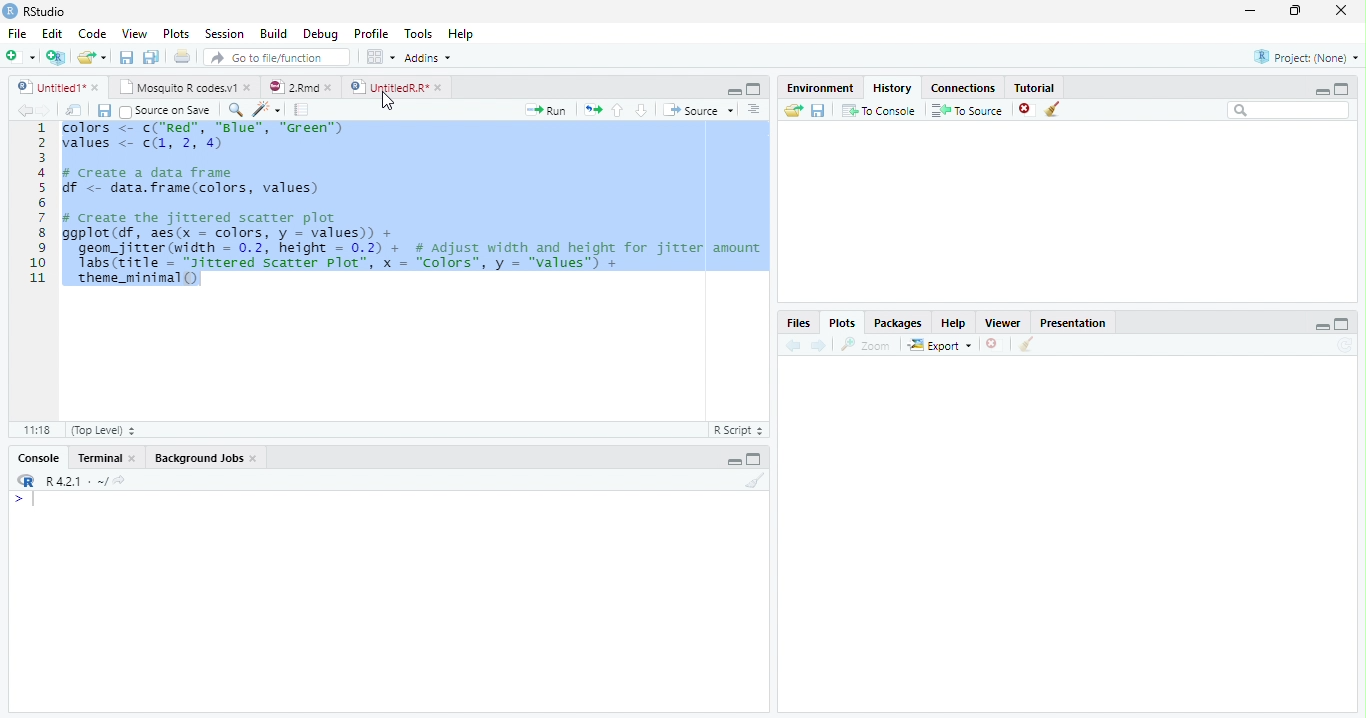 This screenshot has height=718, width=1366. I want to click on restore, so click(1295, 11).